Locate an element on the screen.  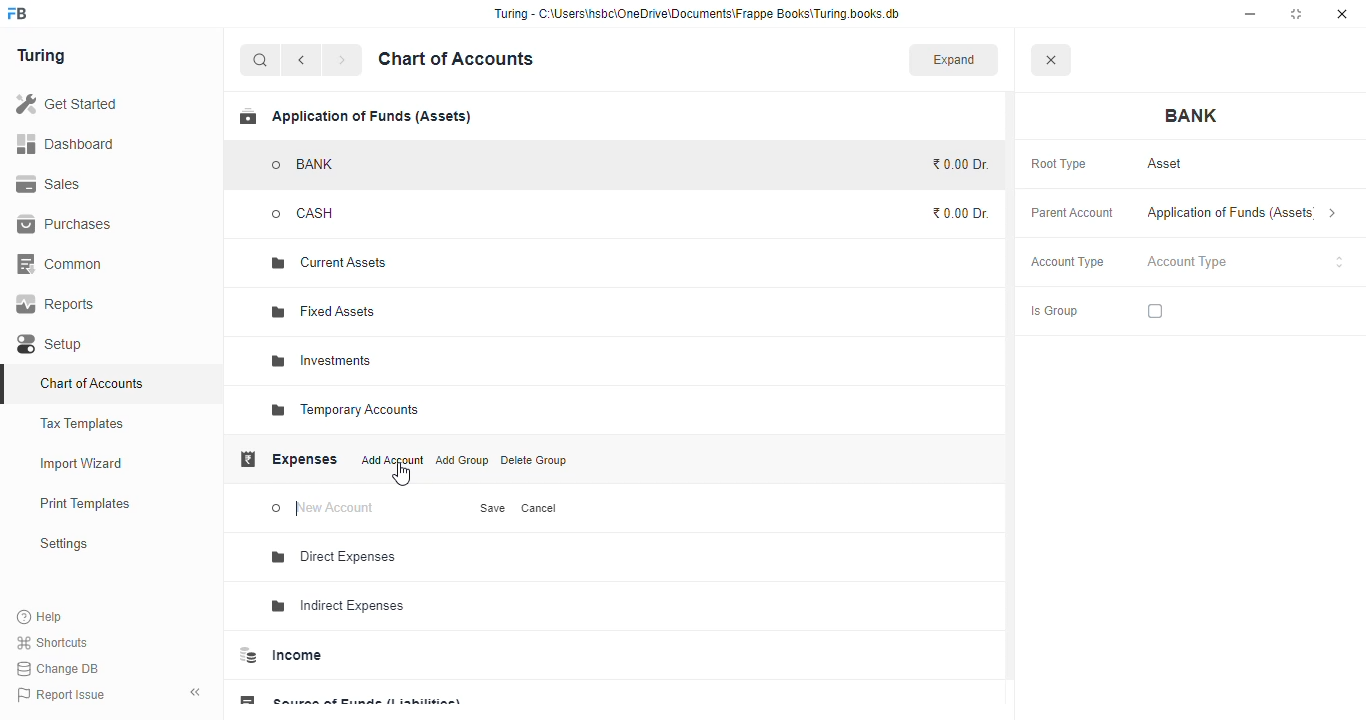
parent account is located at coordinates (1073, 214).